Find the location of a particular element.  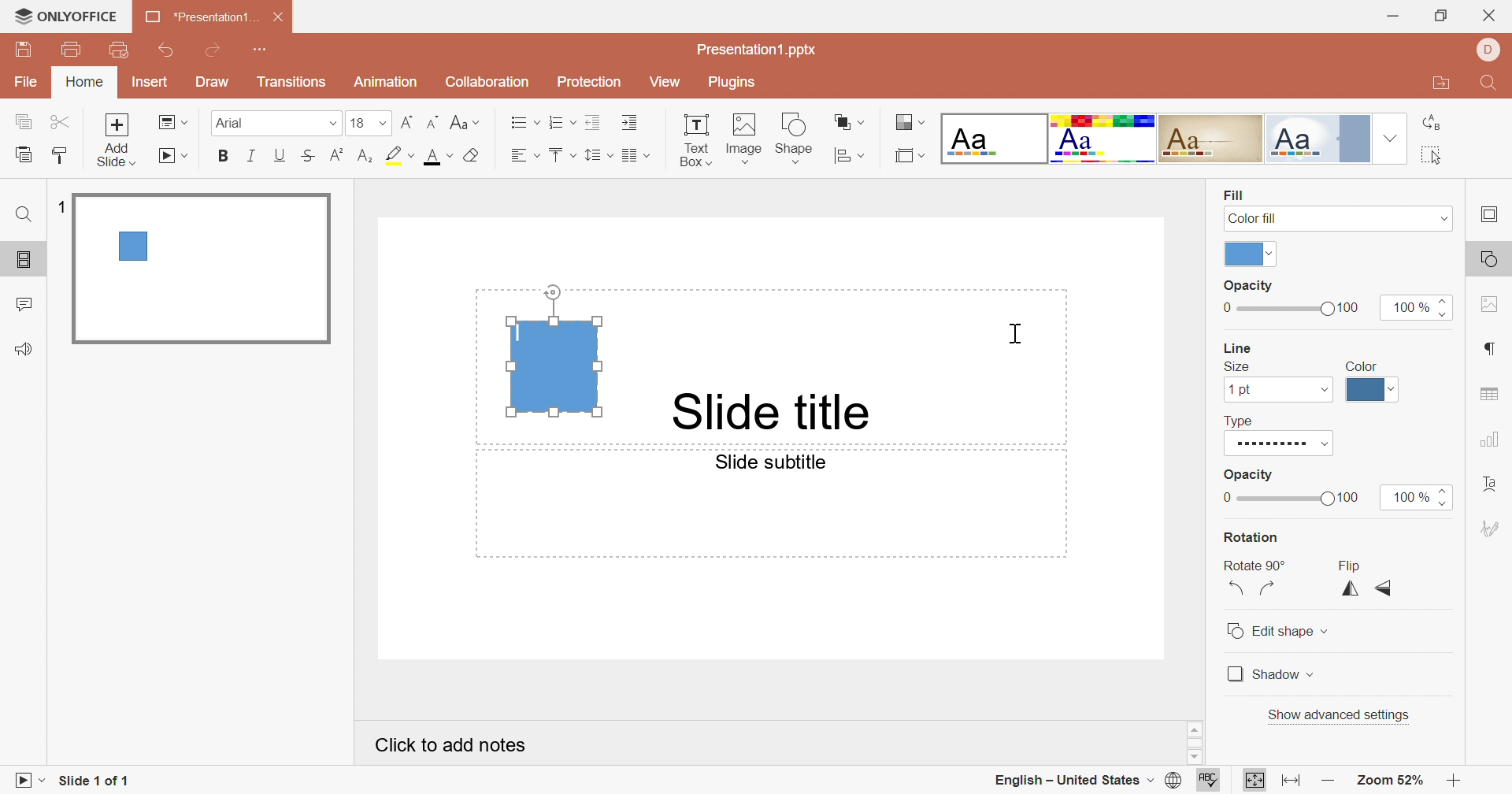

100% is located at coordinates (1406, 496).